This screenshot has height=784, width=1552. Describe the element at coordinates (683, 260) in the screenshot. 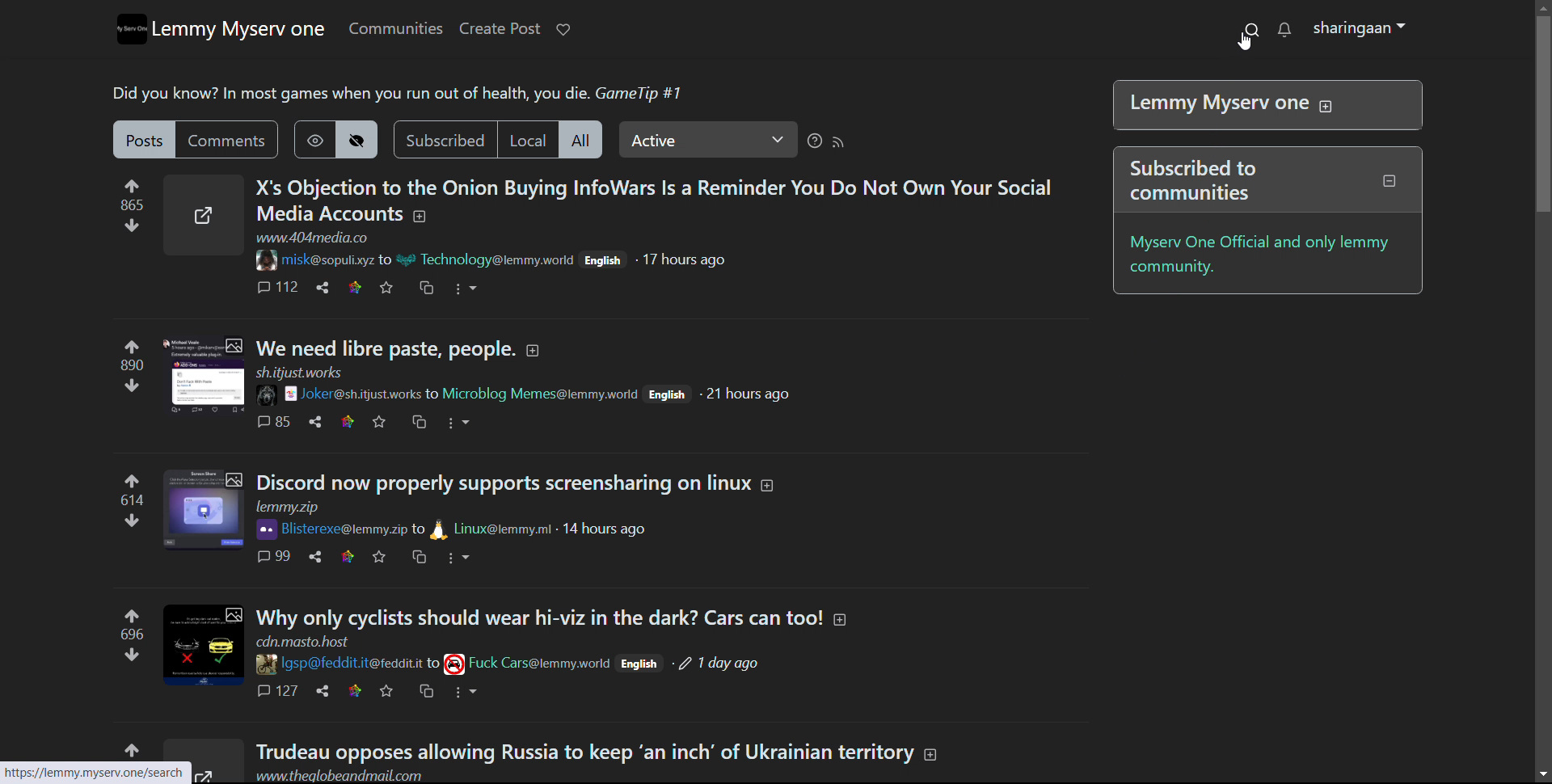

I see `17 hours ago` at that location.